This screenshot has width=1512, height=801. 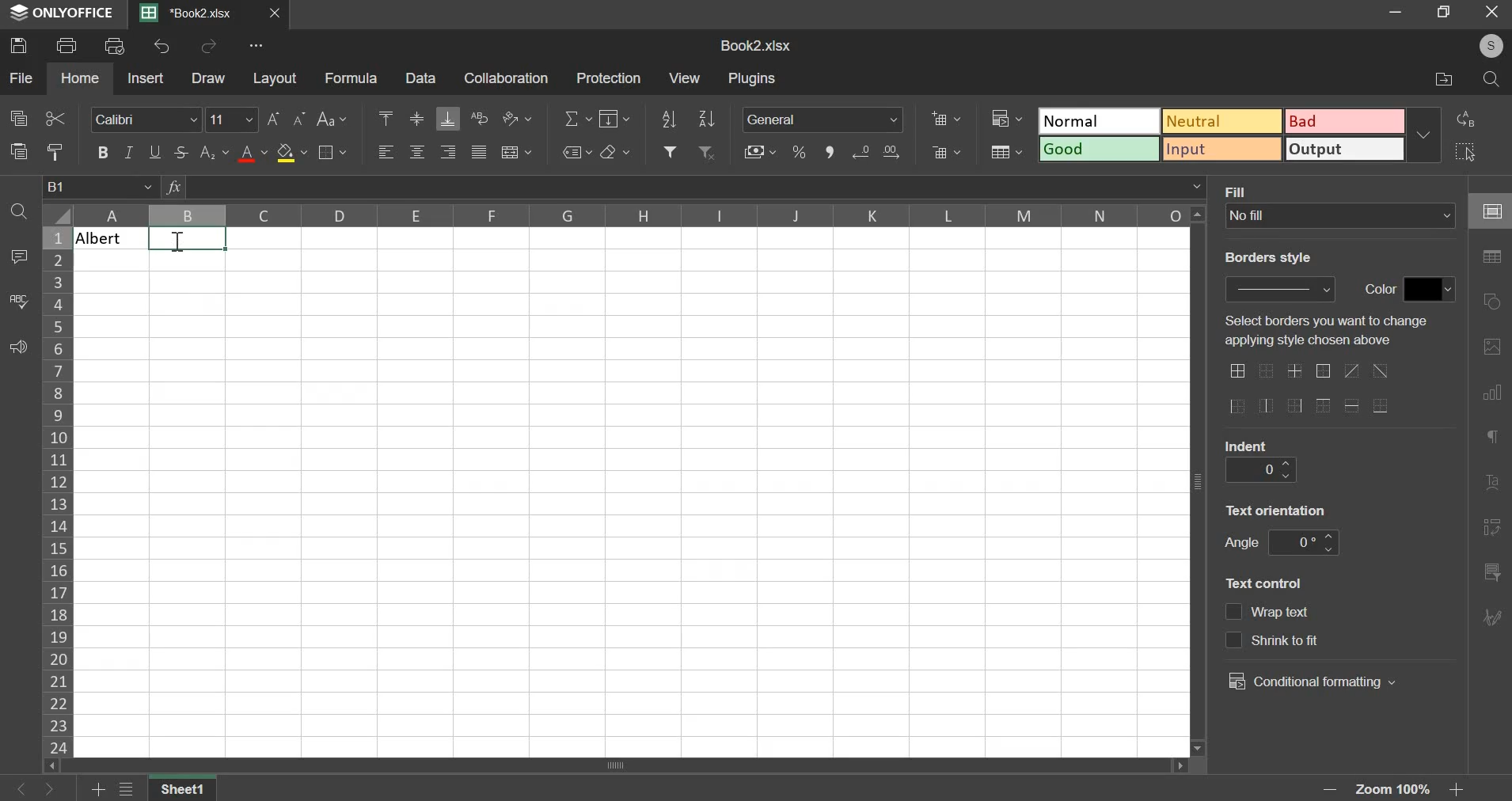 What do you see at coordinates (479, 152) in the screenshot?
I see `justified` at bounding box center [479, 152].